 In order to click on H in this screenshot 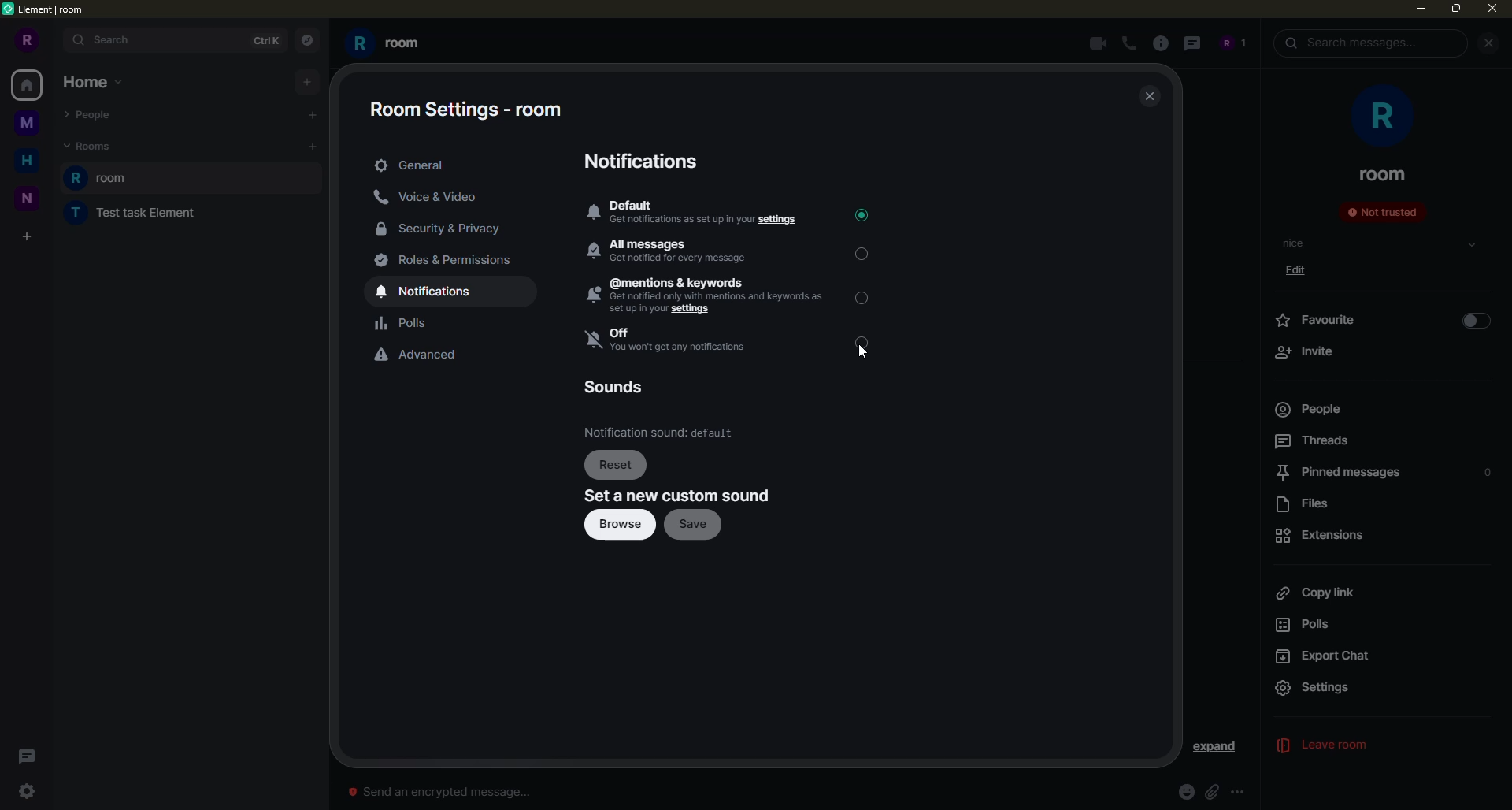, I will do `click(26, 161)`.